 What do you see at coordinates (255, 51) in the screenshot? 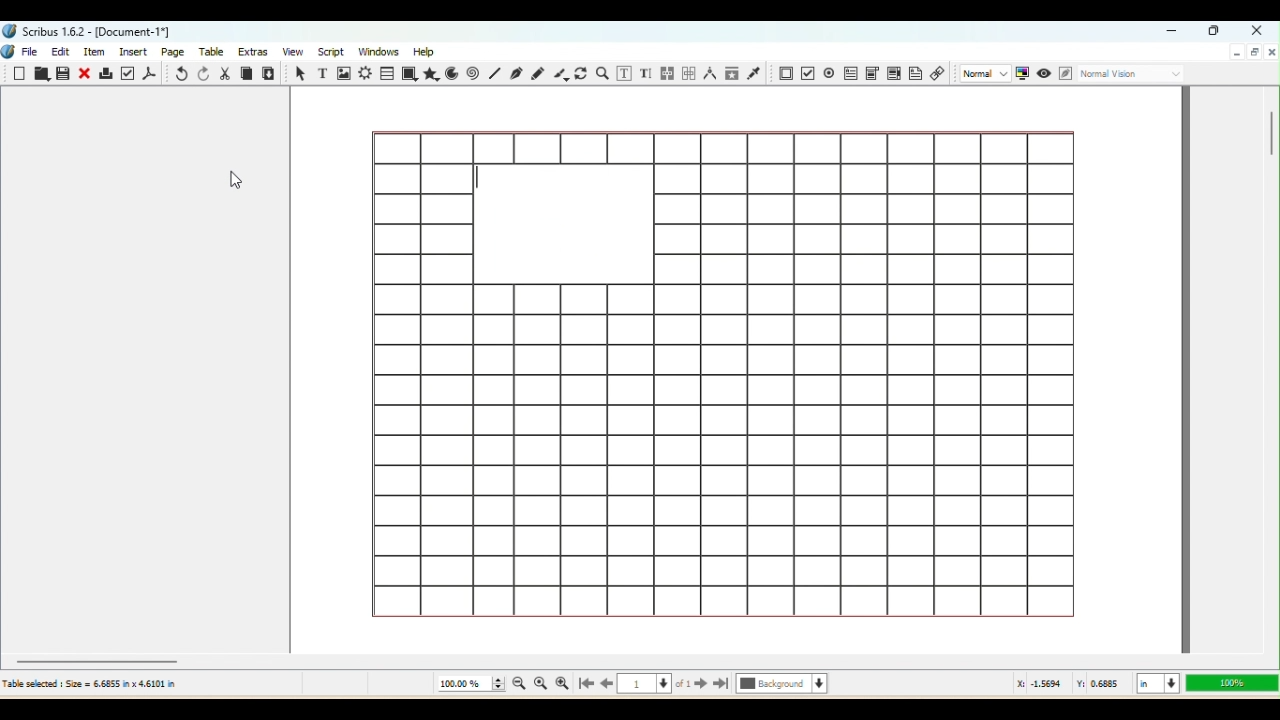
I see `Extras` at bounding box center [255, 51].